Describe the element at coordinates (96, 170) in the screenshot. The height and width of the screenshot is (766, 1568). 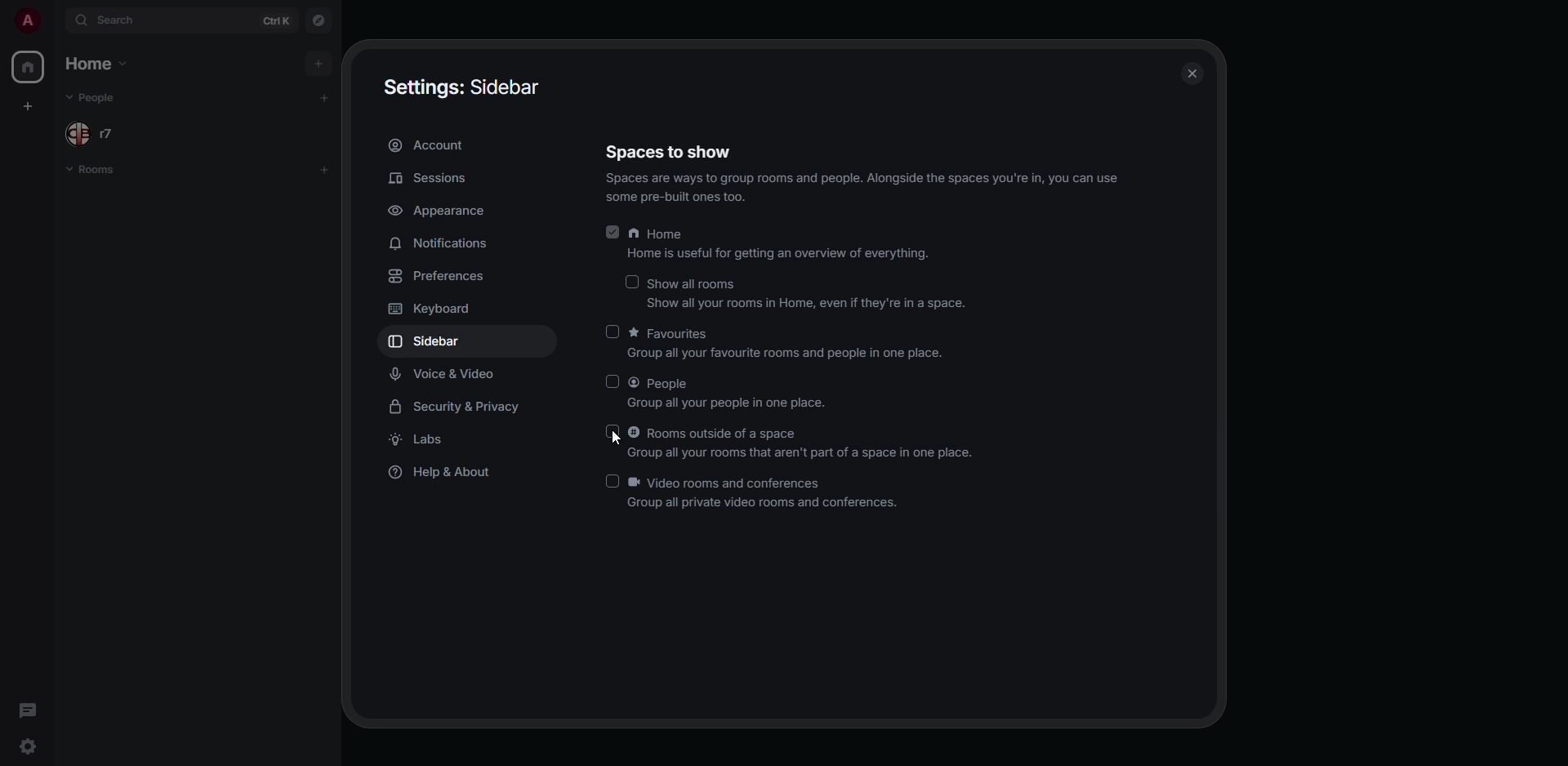
I see `rooms` at that location.